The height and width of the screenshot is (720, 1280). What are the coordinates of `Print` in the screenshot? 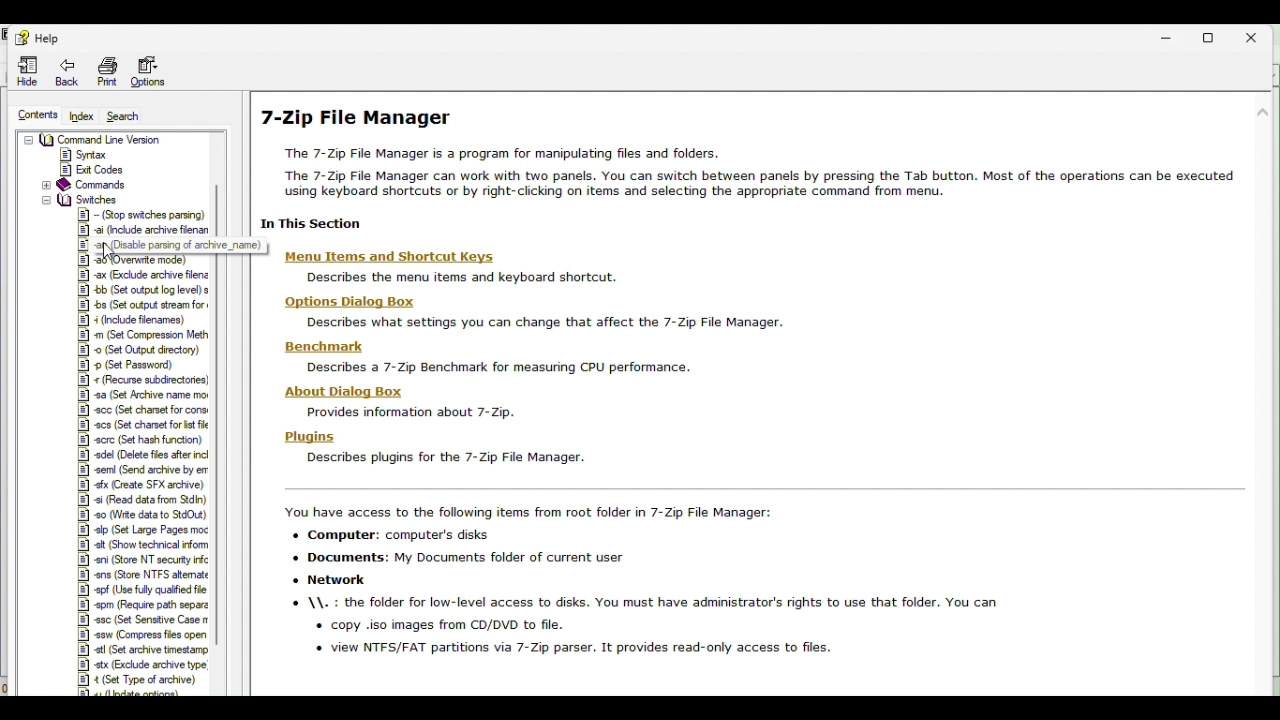 It's located at (108, 73).